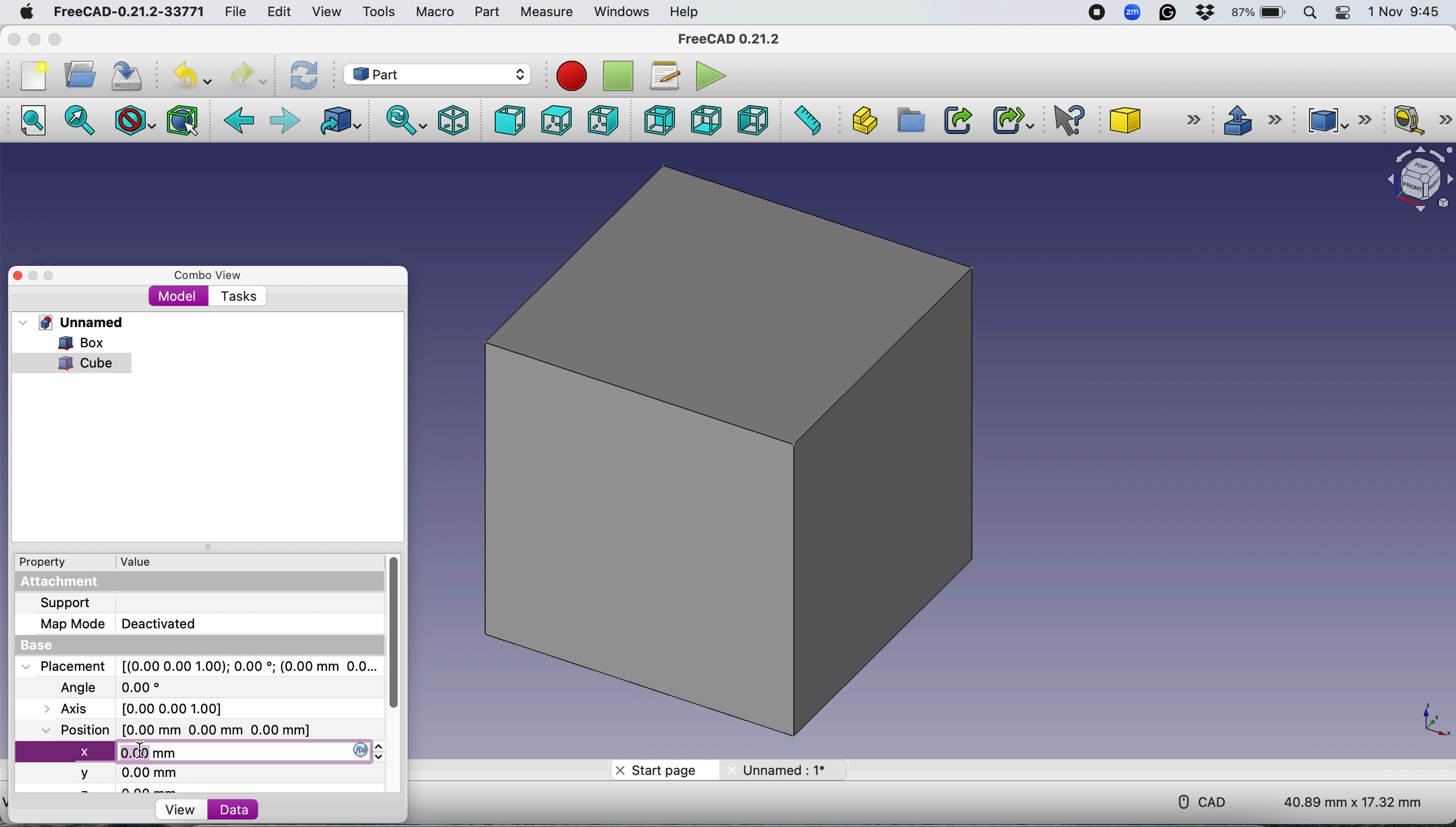  Describe the element at coordinates (656, 120) in the screenshot. I see `Rear` at that location.